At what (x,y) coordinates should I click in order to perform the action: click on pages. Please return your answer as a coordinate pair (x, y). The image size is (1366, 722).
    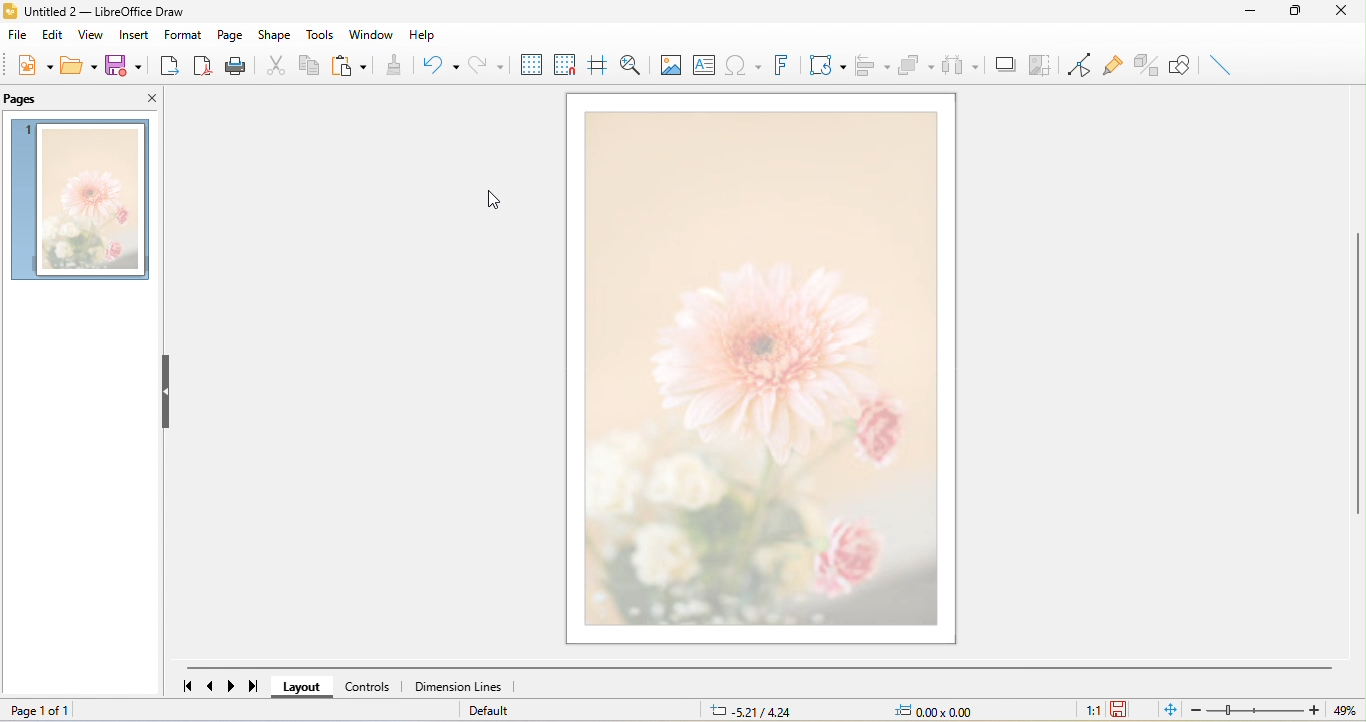
    Looking at the image, I should click on (25, 100).